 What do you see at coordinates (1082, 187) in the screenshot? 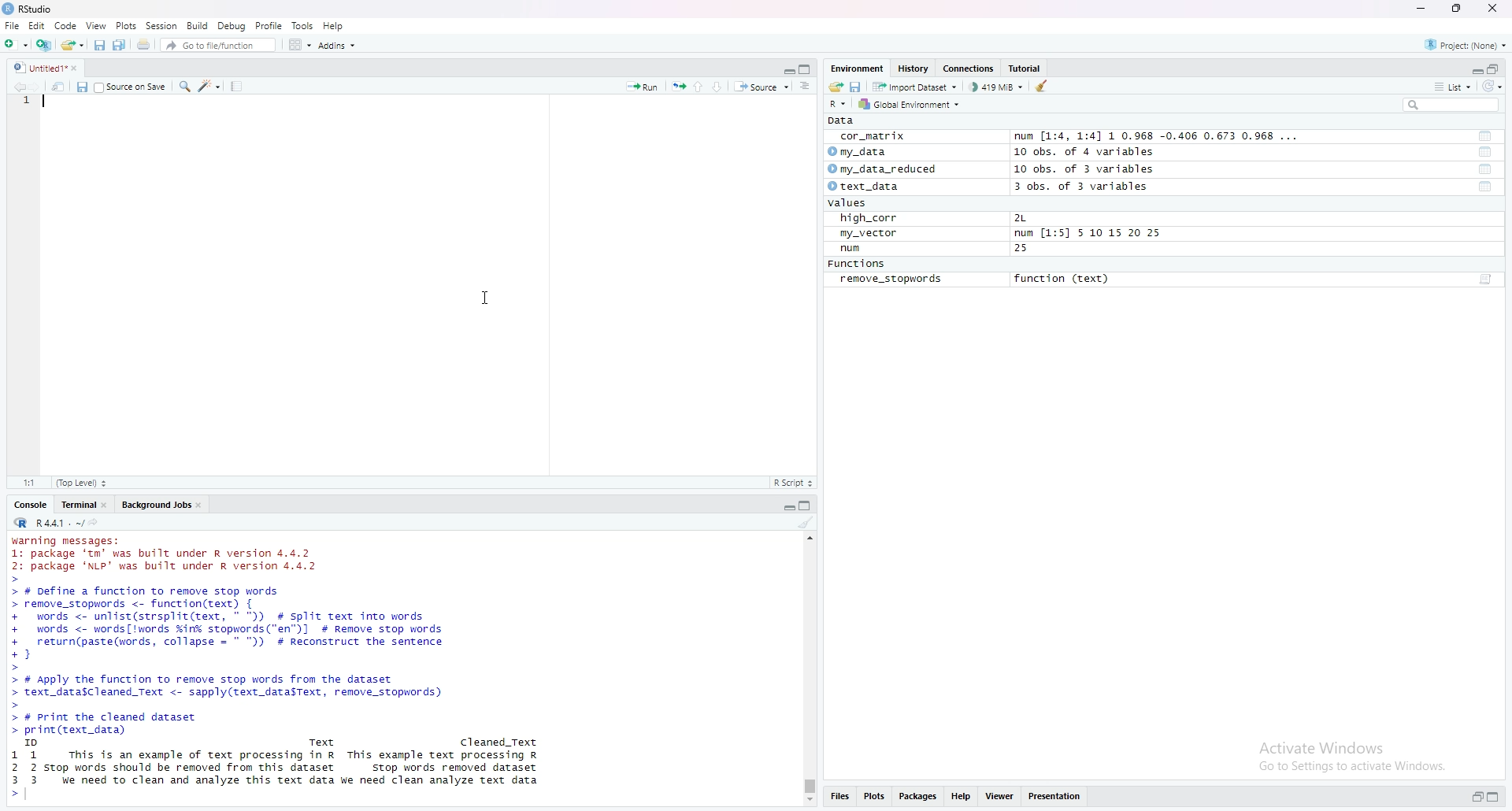
I see `3 obs. of 3 variables` at bounding box center [1082, 187].